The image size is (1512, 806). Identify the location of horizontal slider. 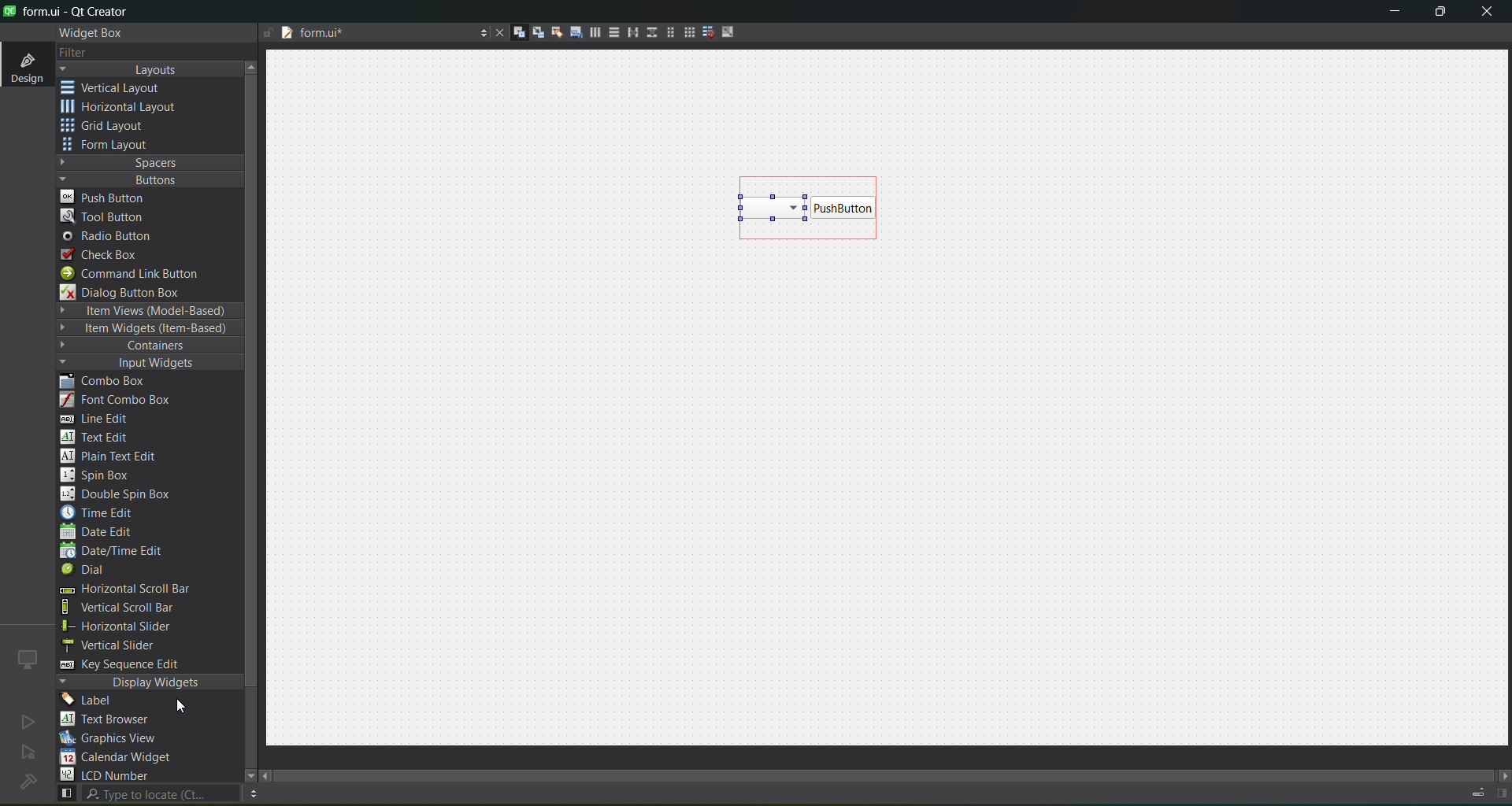
(134, 627).